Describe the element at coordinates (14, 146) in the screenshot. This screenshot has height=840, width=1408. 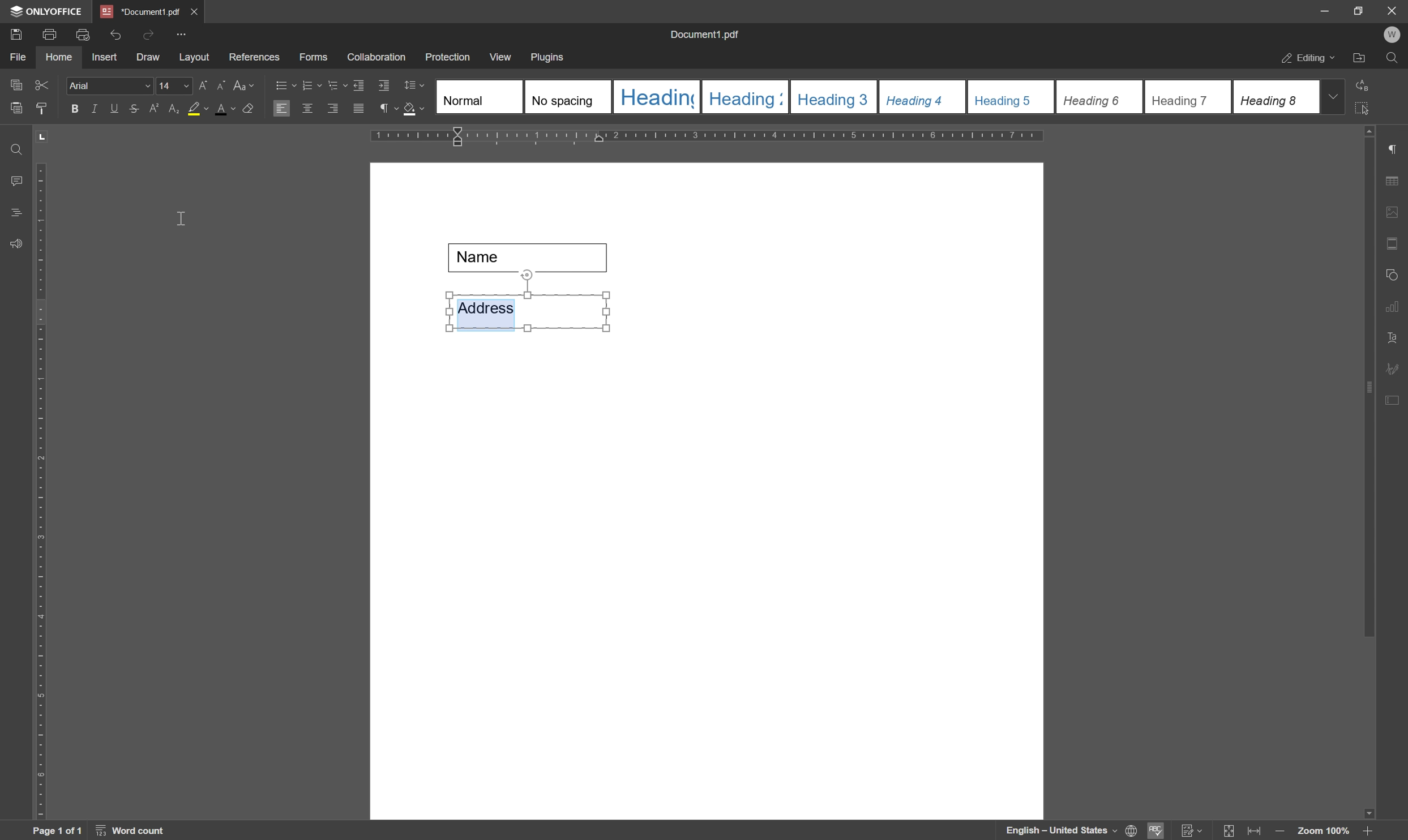
I see `find` at that location.